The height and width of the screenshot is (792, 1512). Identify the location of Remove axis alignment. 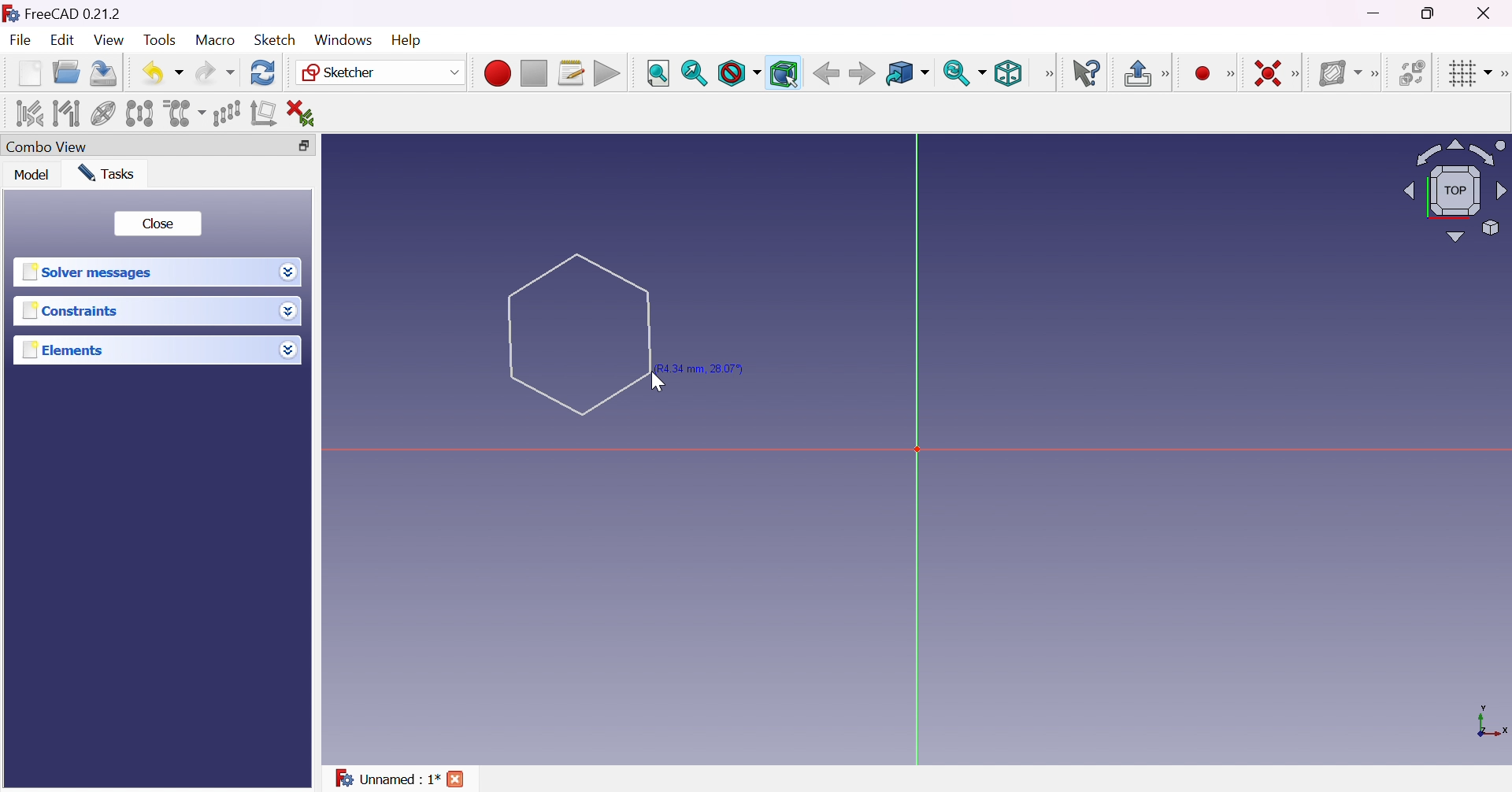
(265, 112).